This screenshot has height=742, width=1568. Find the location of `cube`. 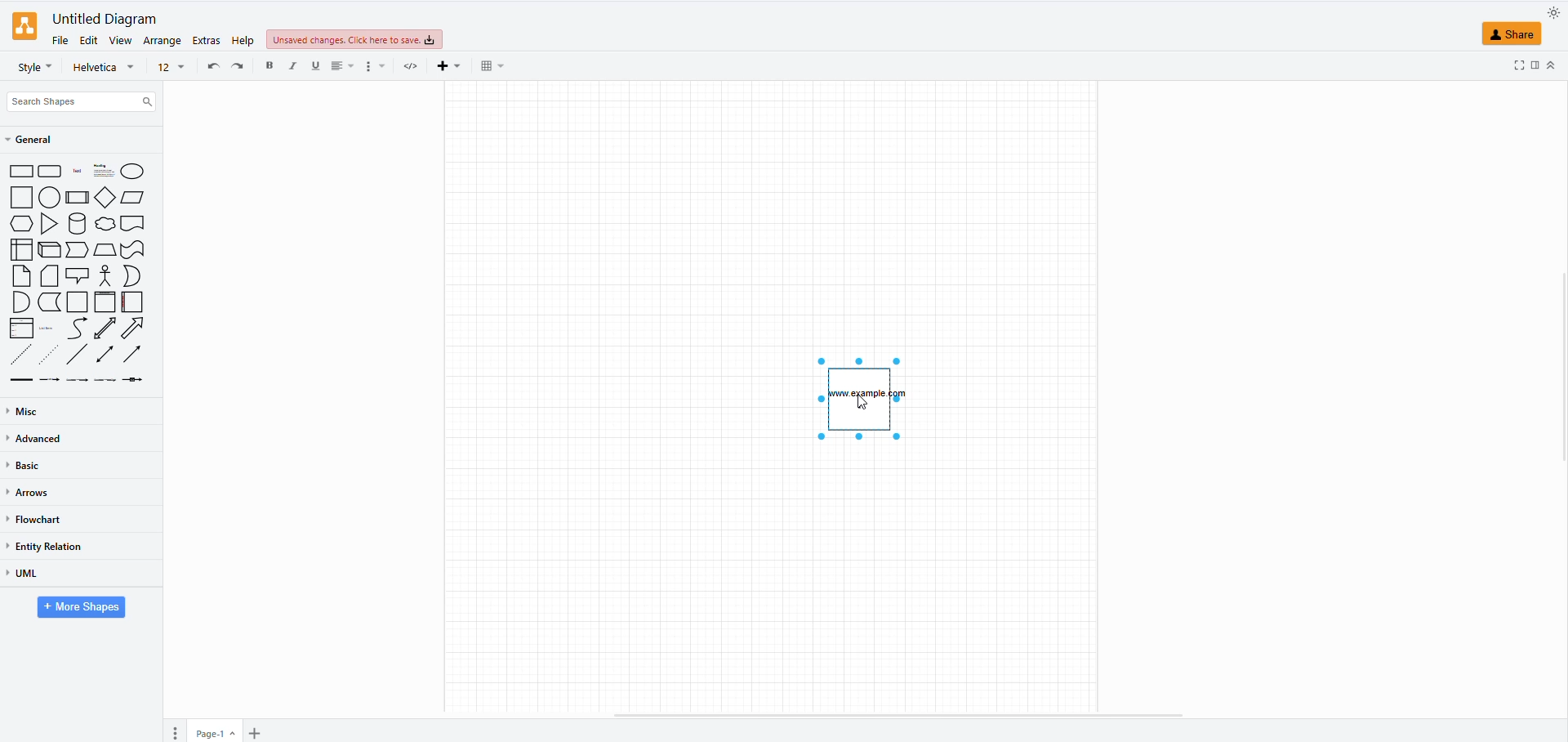

cube is located at coordinates (49, 251).